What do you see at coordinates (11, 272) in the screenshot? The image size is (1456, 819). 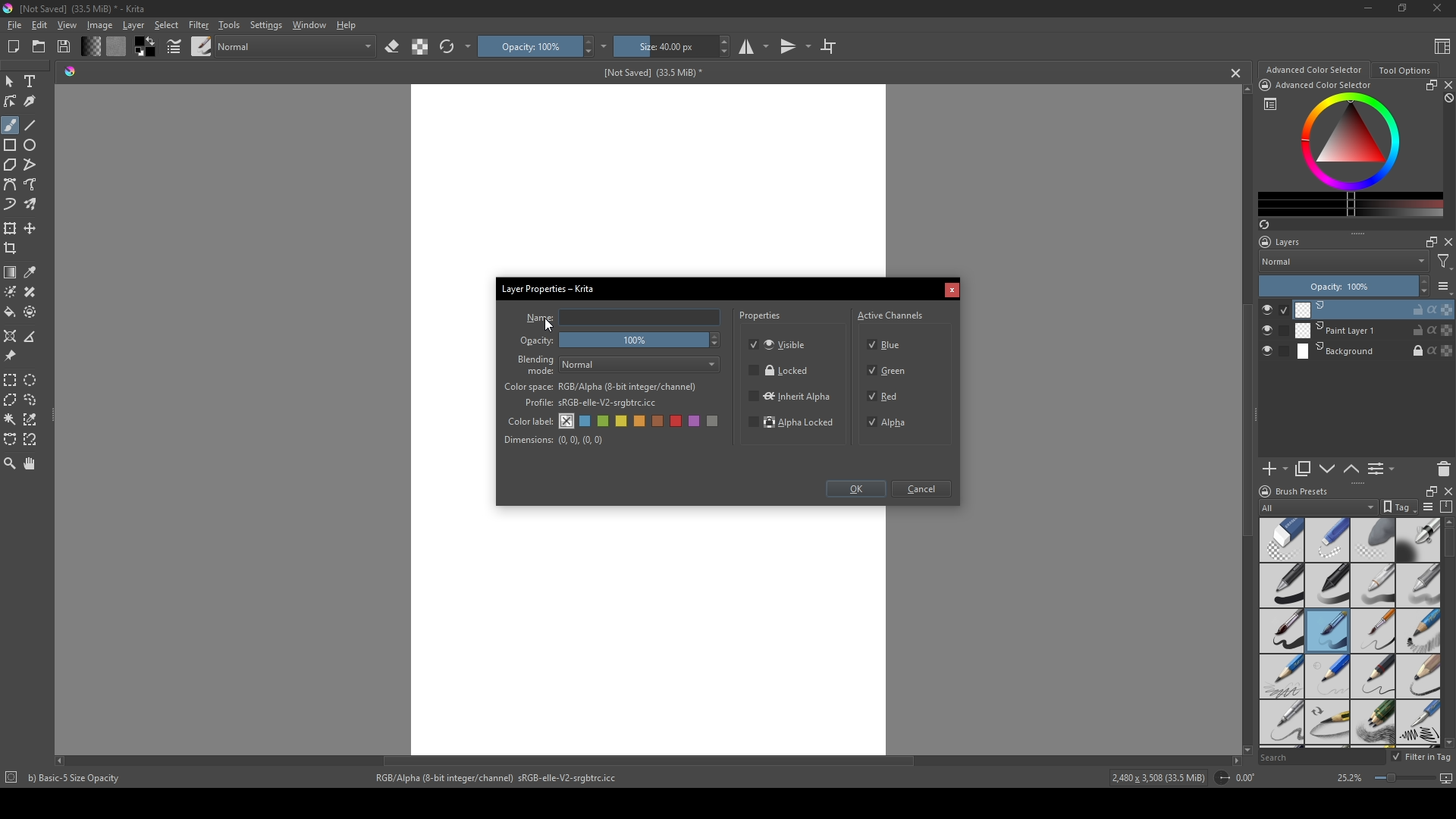 I see `gradient` at bounding box center [11, 272].